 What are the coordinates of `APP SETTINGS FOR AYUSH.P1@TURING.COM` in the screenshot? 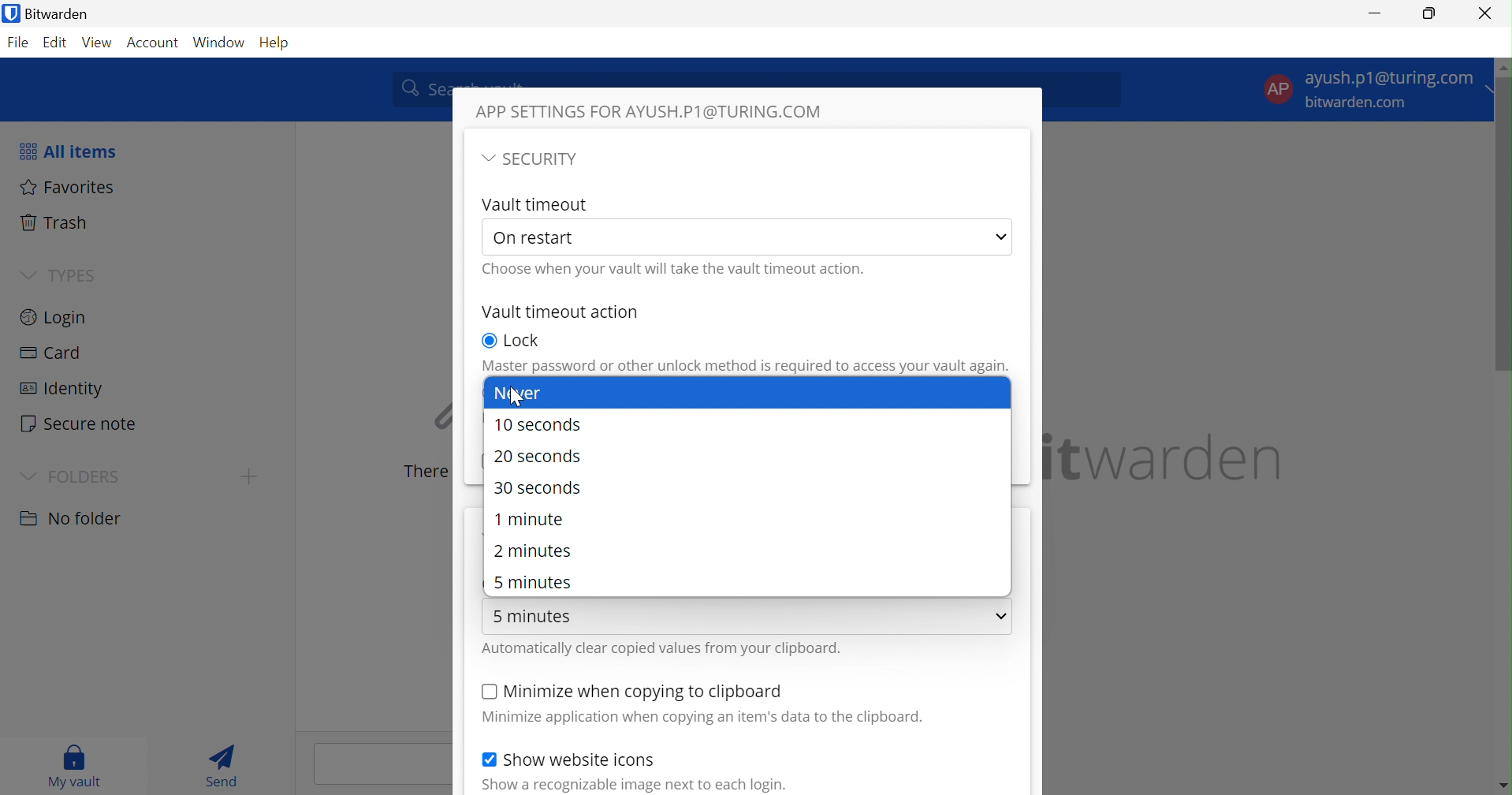 It's located at (648, 110).